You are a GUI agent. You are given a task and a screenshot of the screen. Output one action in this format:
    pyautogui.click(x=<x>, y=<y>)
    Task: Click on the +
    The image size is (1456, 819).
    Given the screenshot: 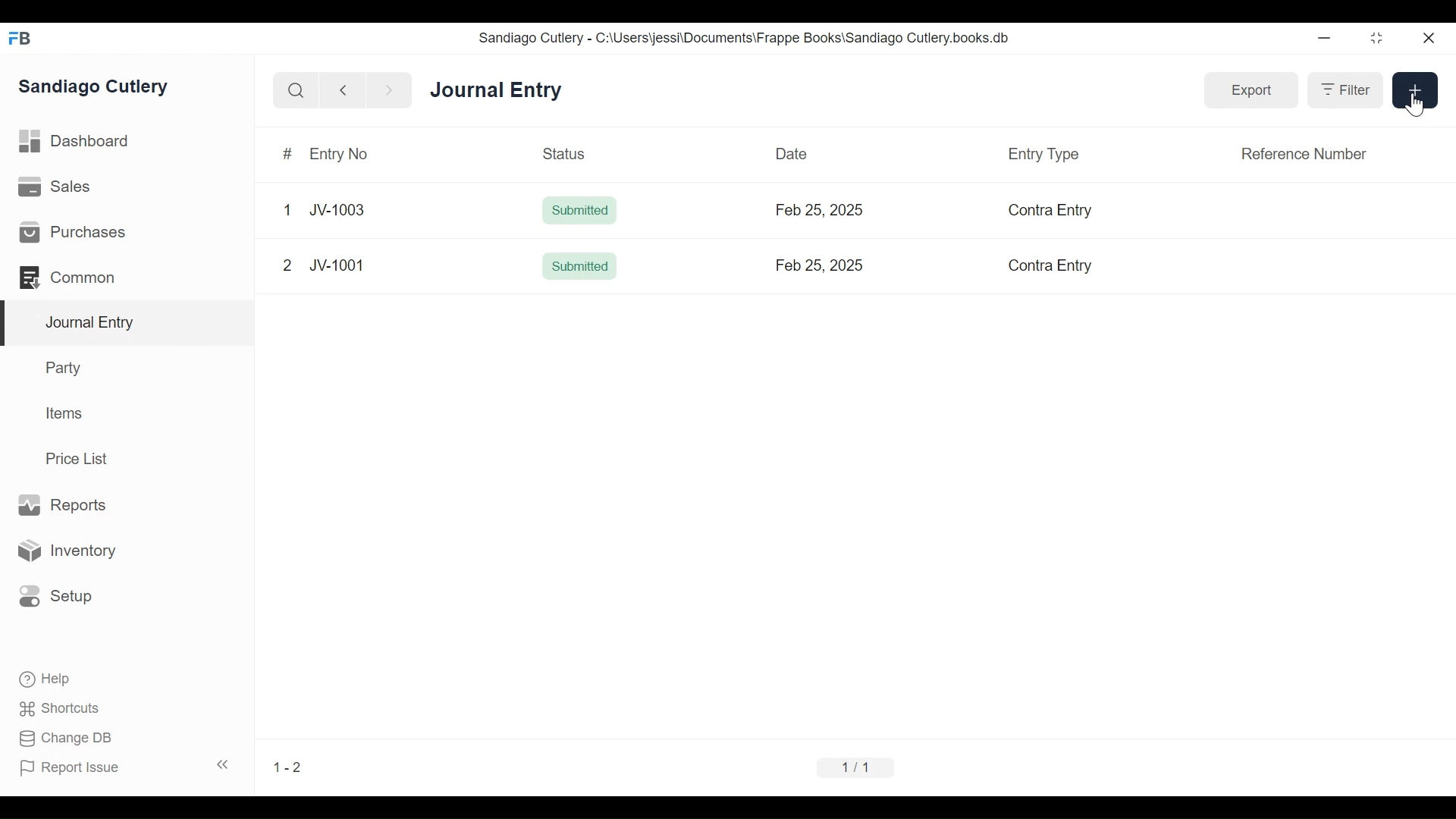 What is the action you would take?
    pyautogui.click(x=1412, y=89)
    